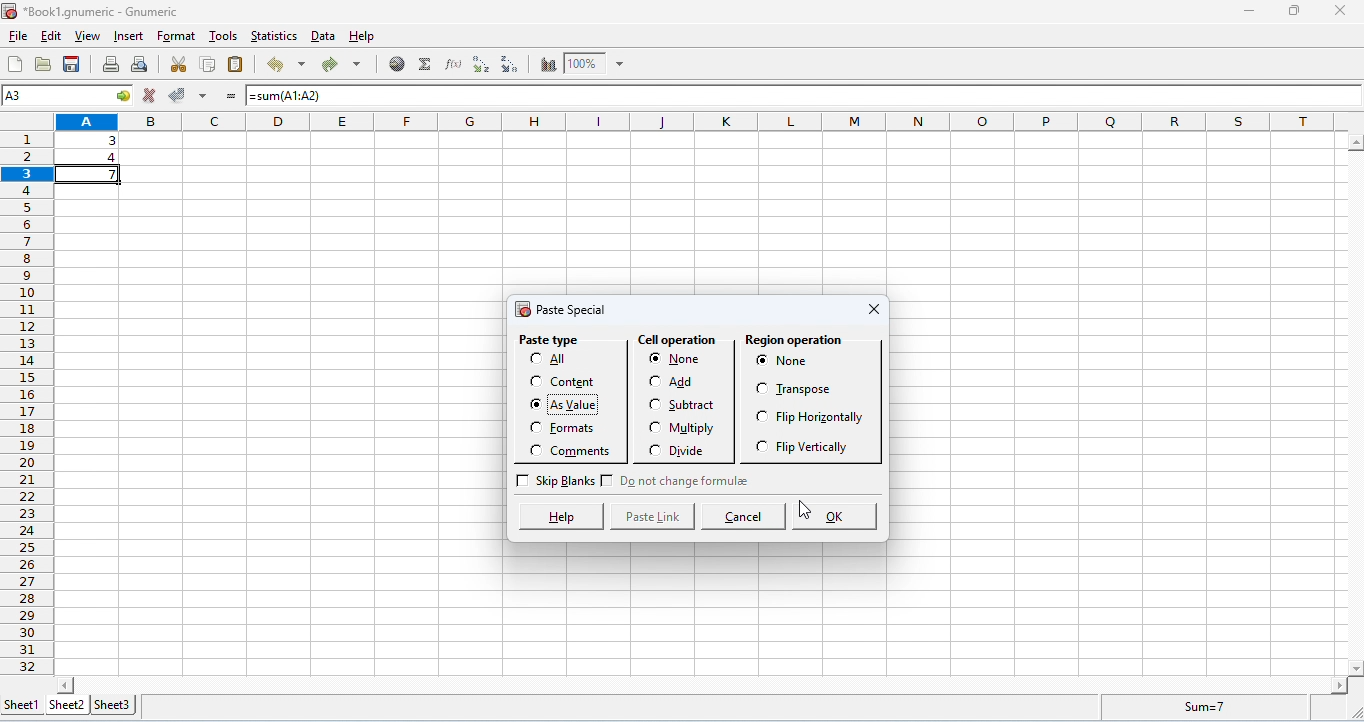  What do you see at coordinates (553, 342) in the screenshot?
I see `paste type` at bounding box center [553, 342].